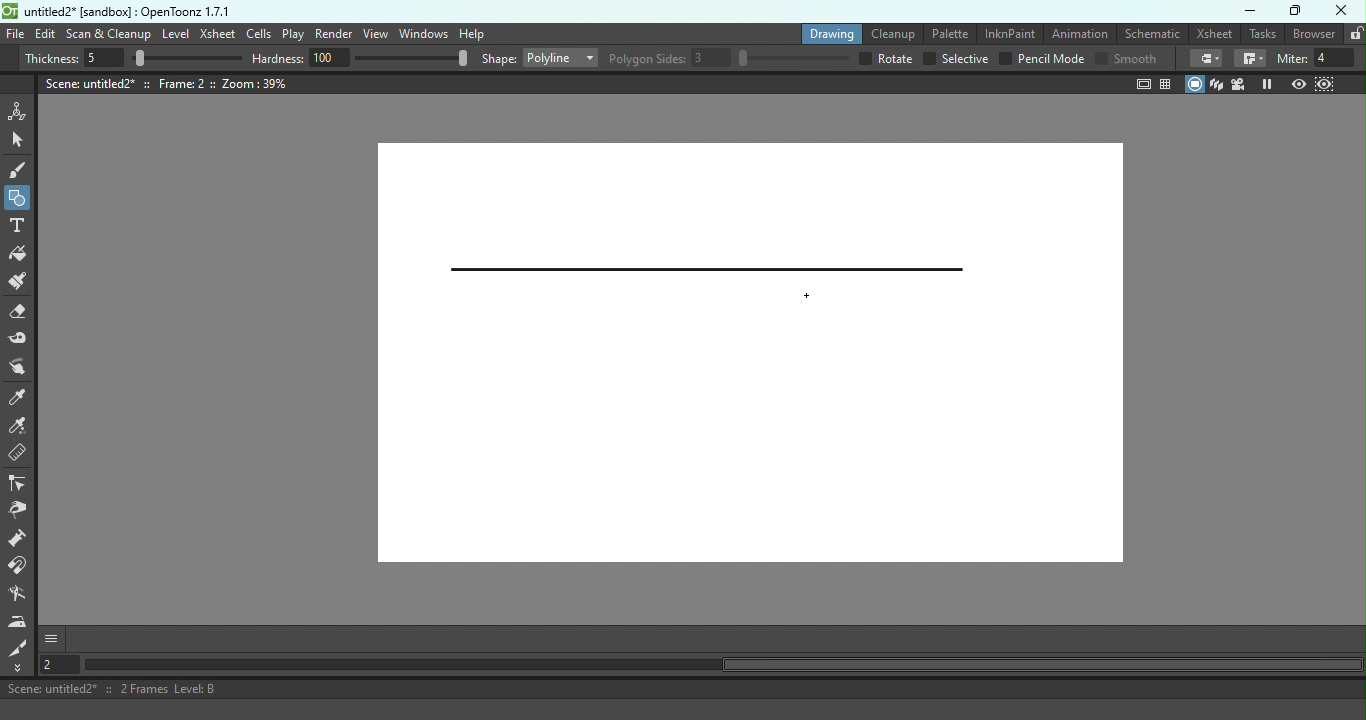 Image resolution: width=1366 pixels, height=720 pixels. Describe the element at coordinates (21, 568) in the screenshot. I see `Magnet tool` at that location.